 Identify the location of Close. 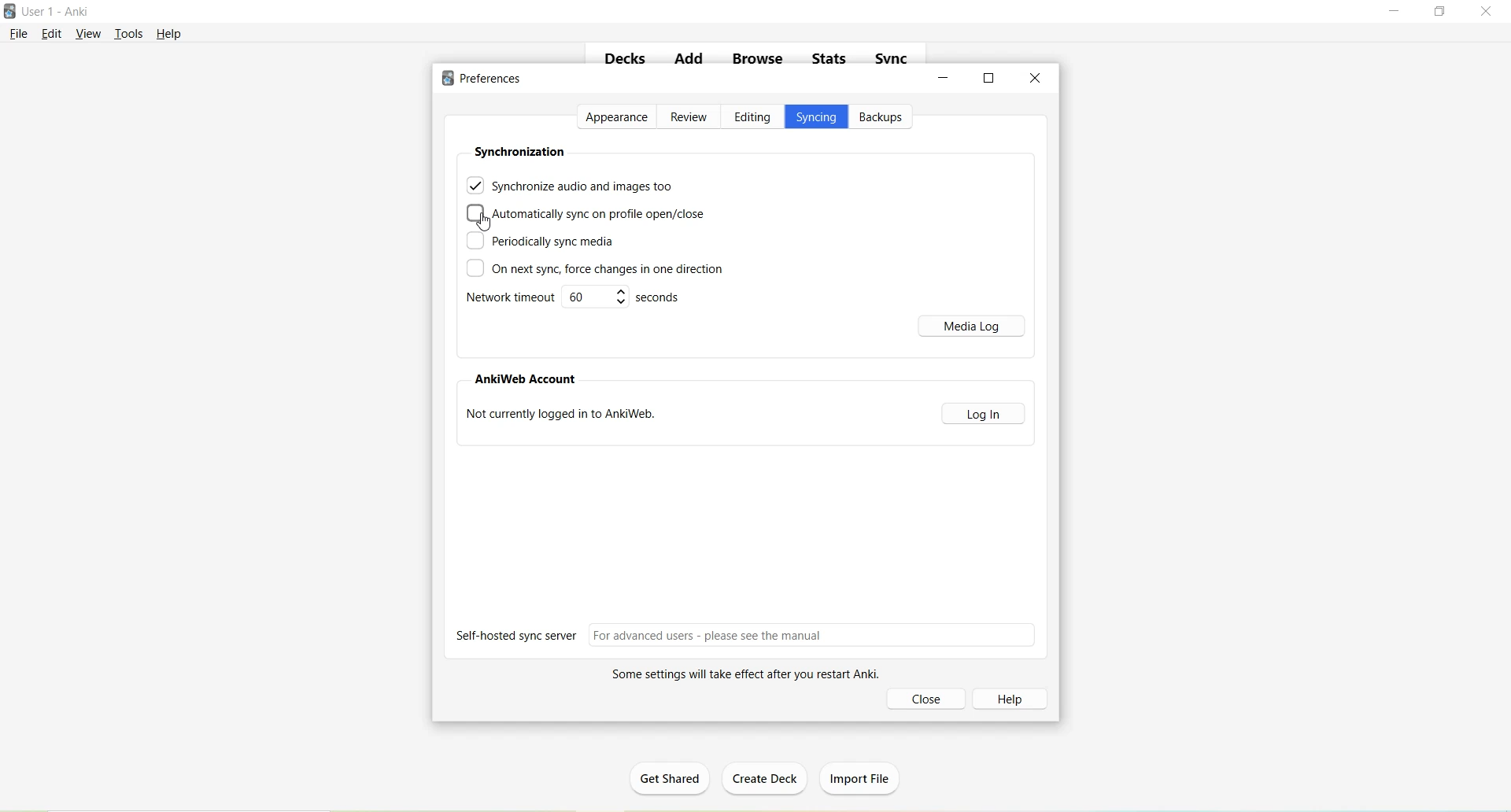
(1490, 12).